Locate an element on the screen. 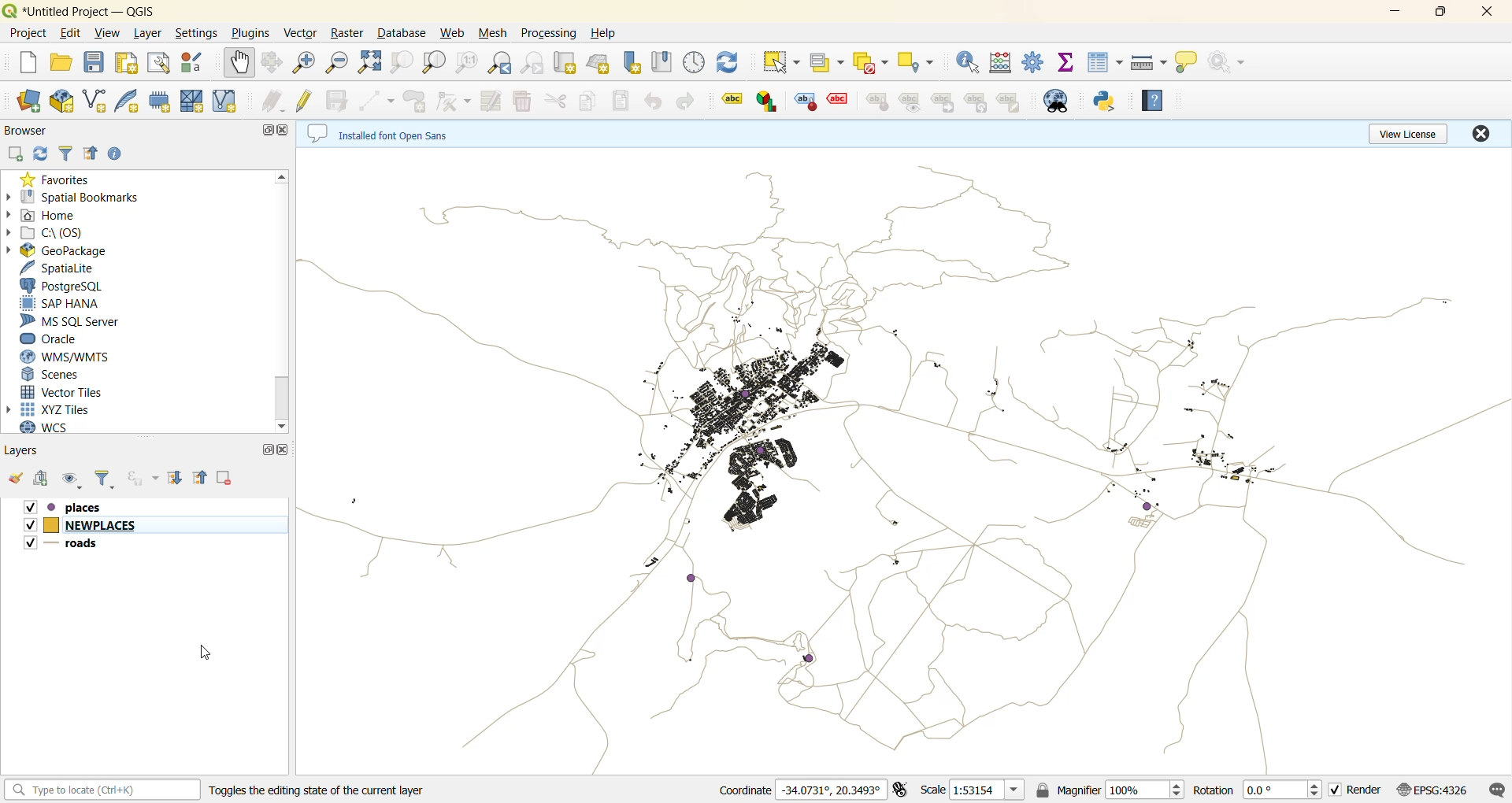  metasearch is located at coordinates (1058, 102).